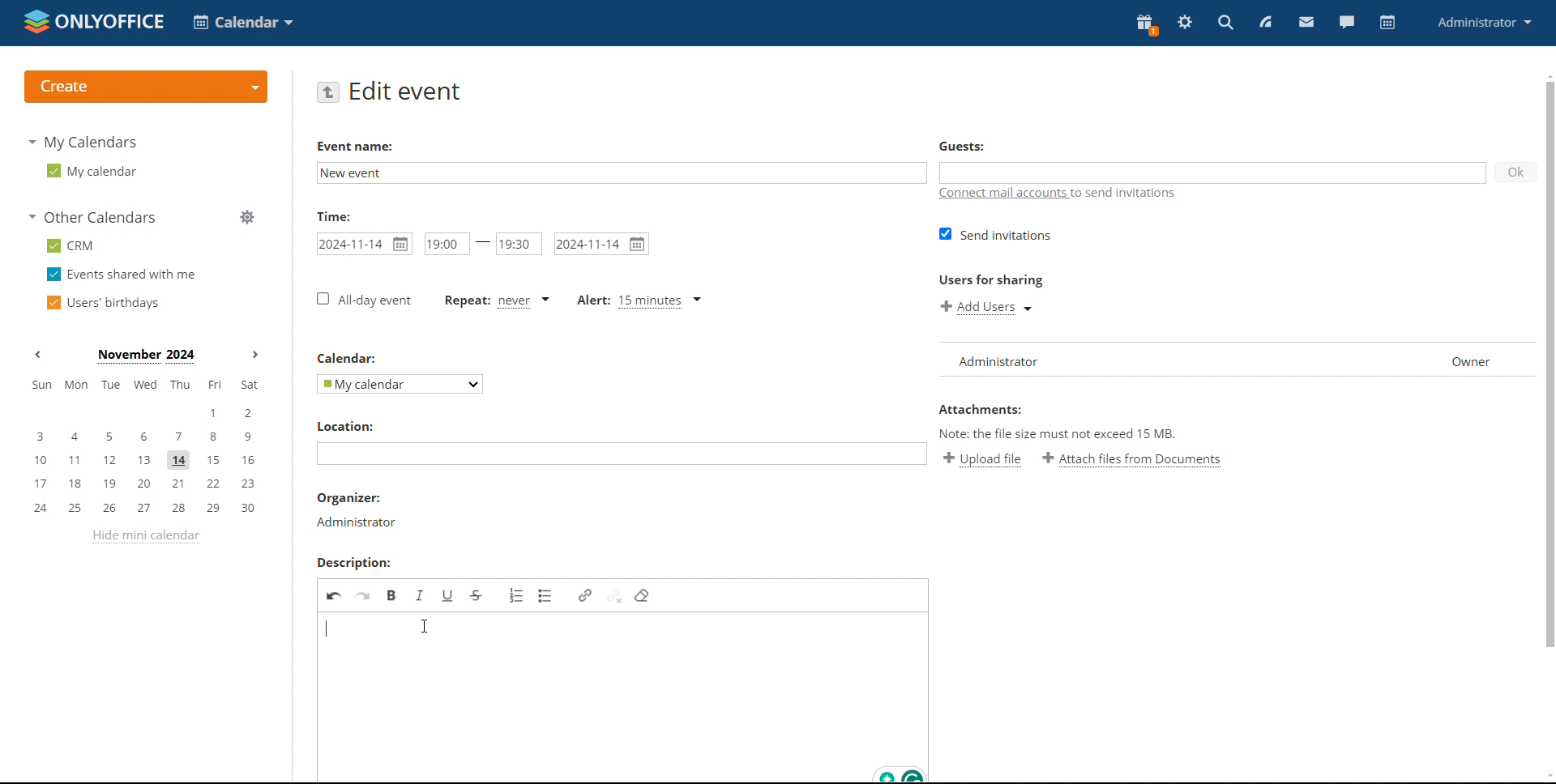 The width and height of the screenshot is (1556, 784). Describe the element at coordinates (1131, 460) in the screenshot. I see `attach file from documents` at that location.